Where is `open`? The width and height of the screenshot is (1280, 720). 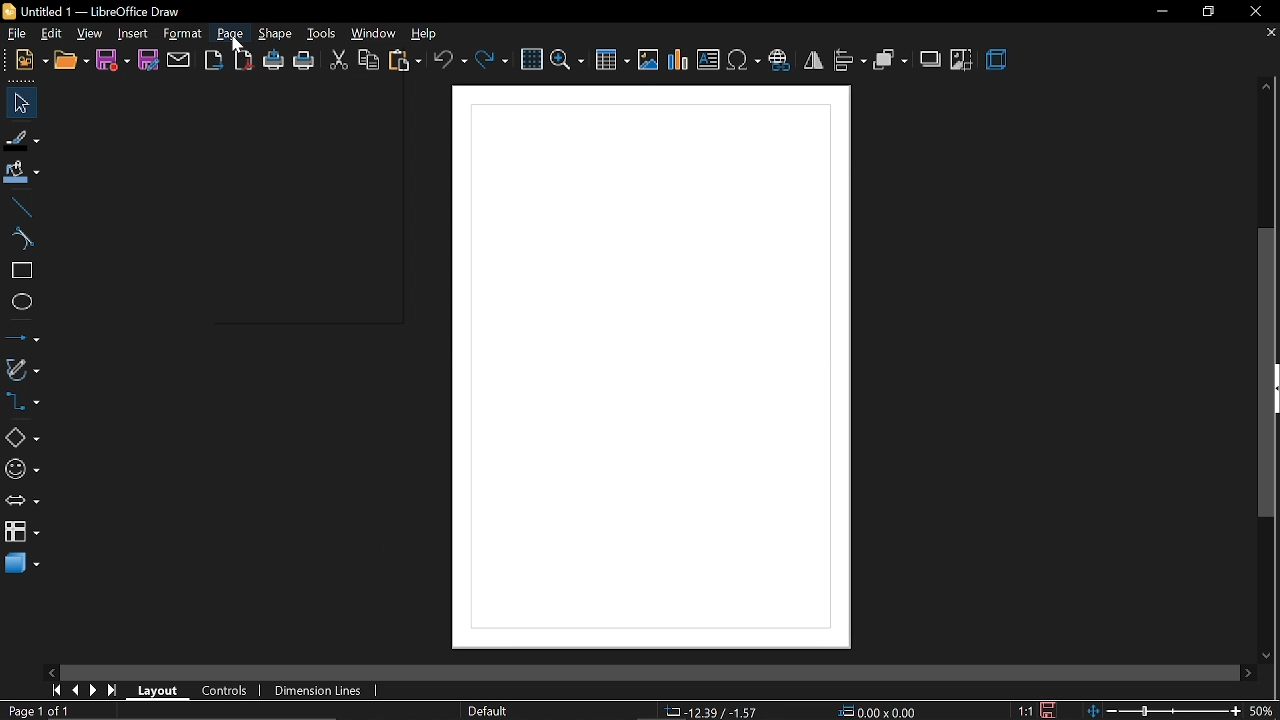 open is located at coordinates (70, 63).